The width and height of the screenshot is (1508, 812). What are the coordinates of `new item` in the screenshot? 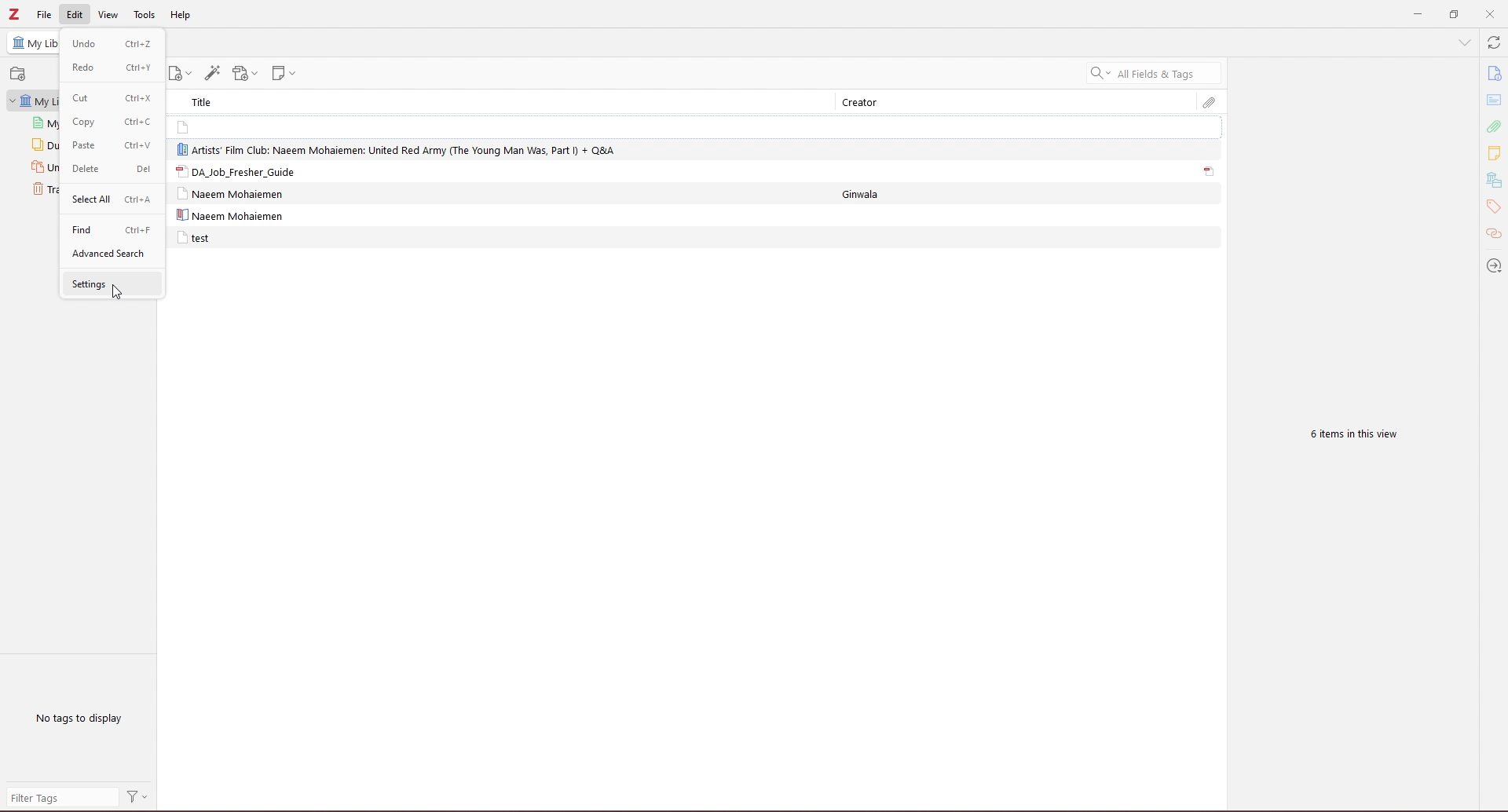 It's located at (182, 74).